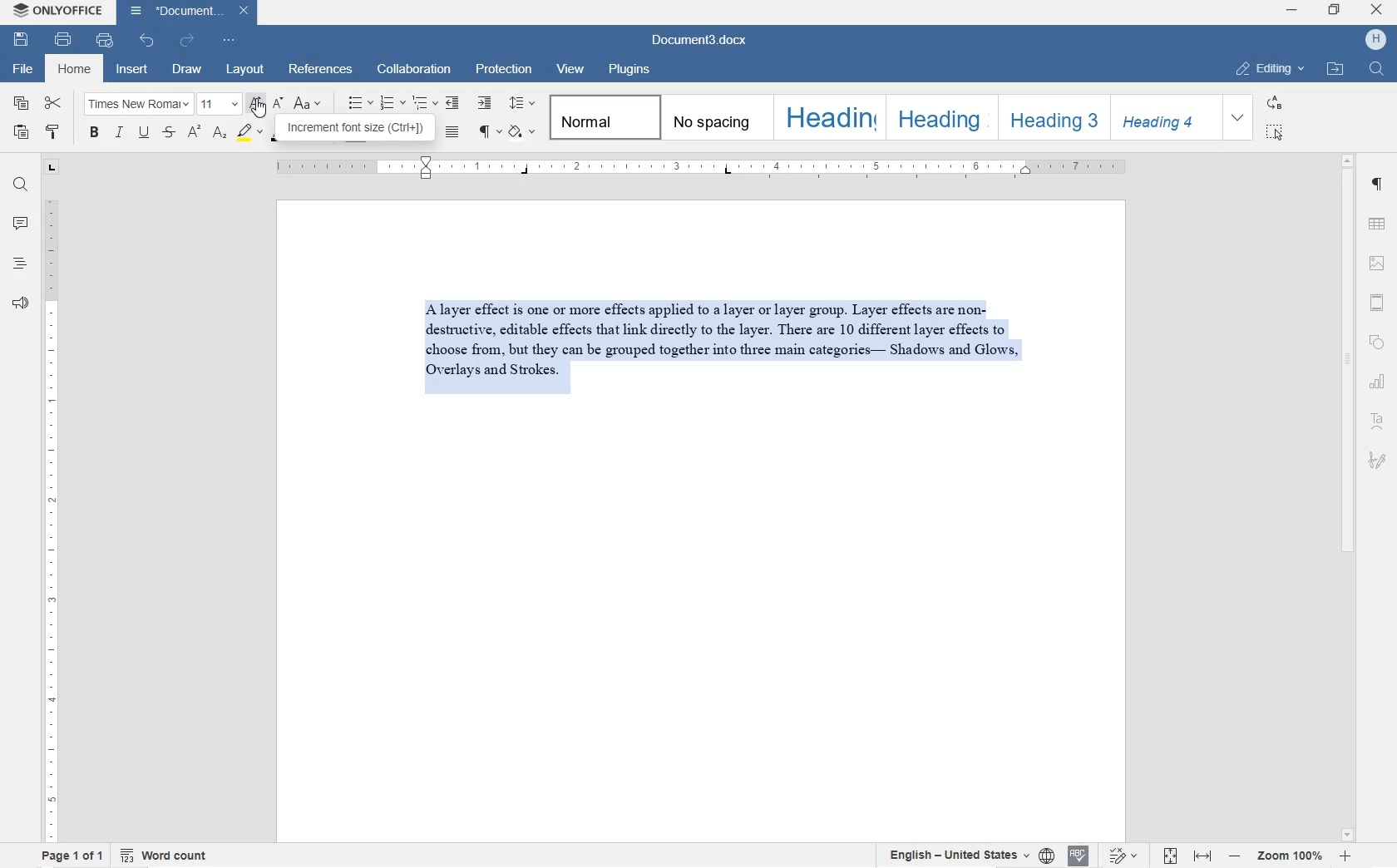  What do you see at coordinates (21, 264) in the screenshot?
I see `headings` at bounding box center [21, 264].